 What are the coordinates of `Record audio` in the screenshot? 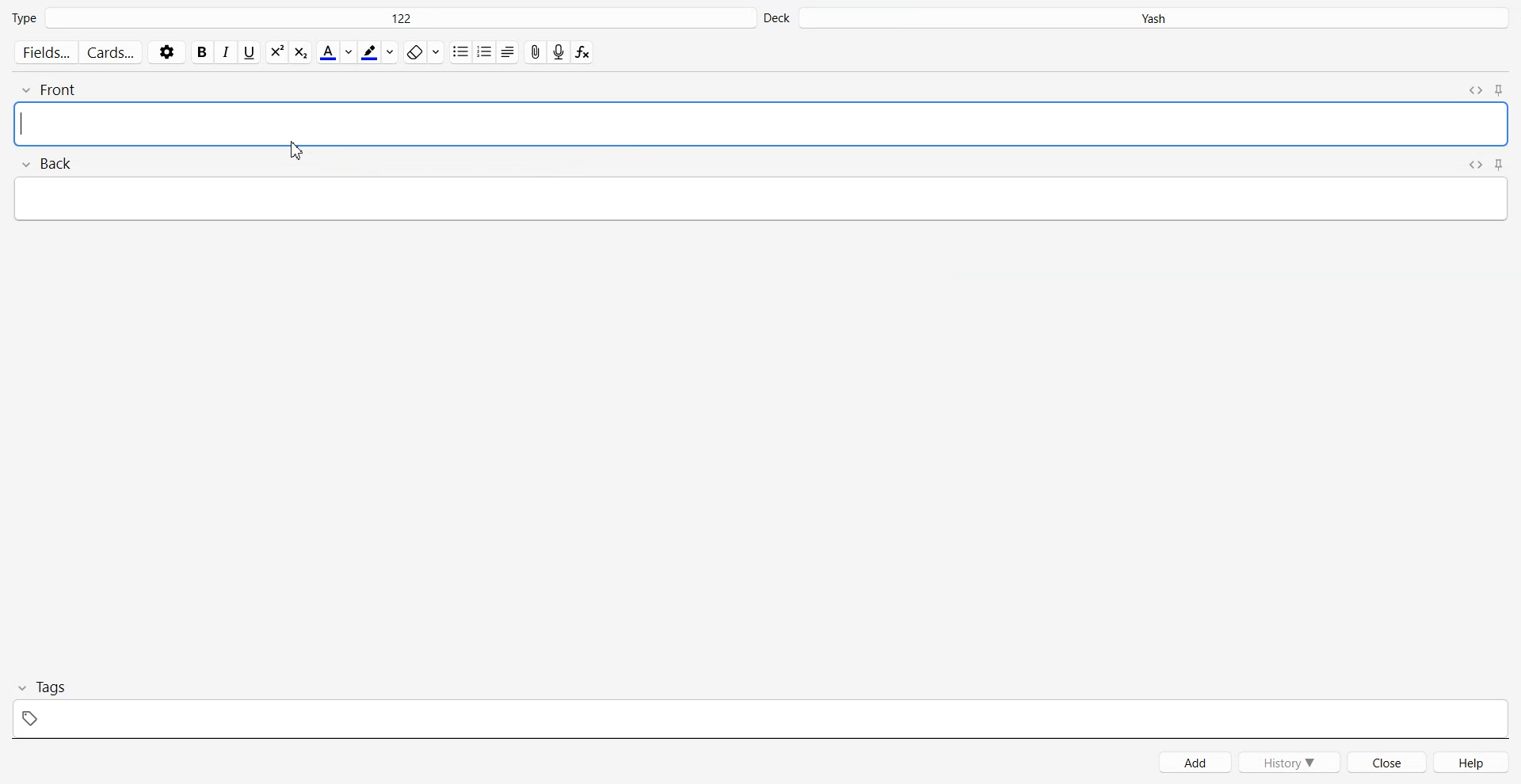 It's located at (558, 52).